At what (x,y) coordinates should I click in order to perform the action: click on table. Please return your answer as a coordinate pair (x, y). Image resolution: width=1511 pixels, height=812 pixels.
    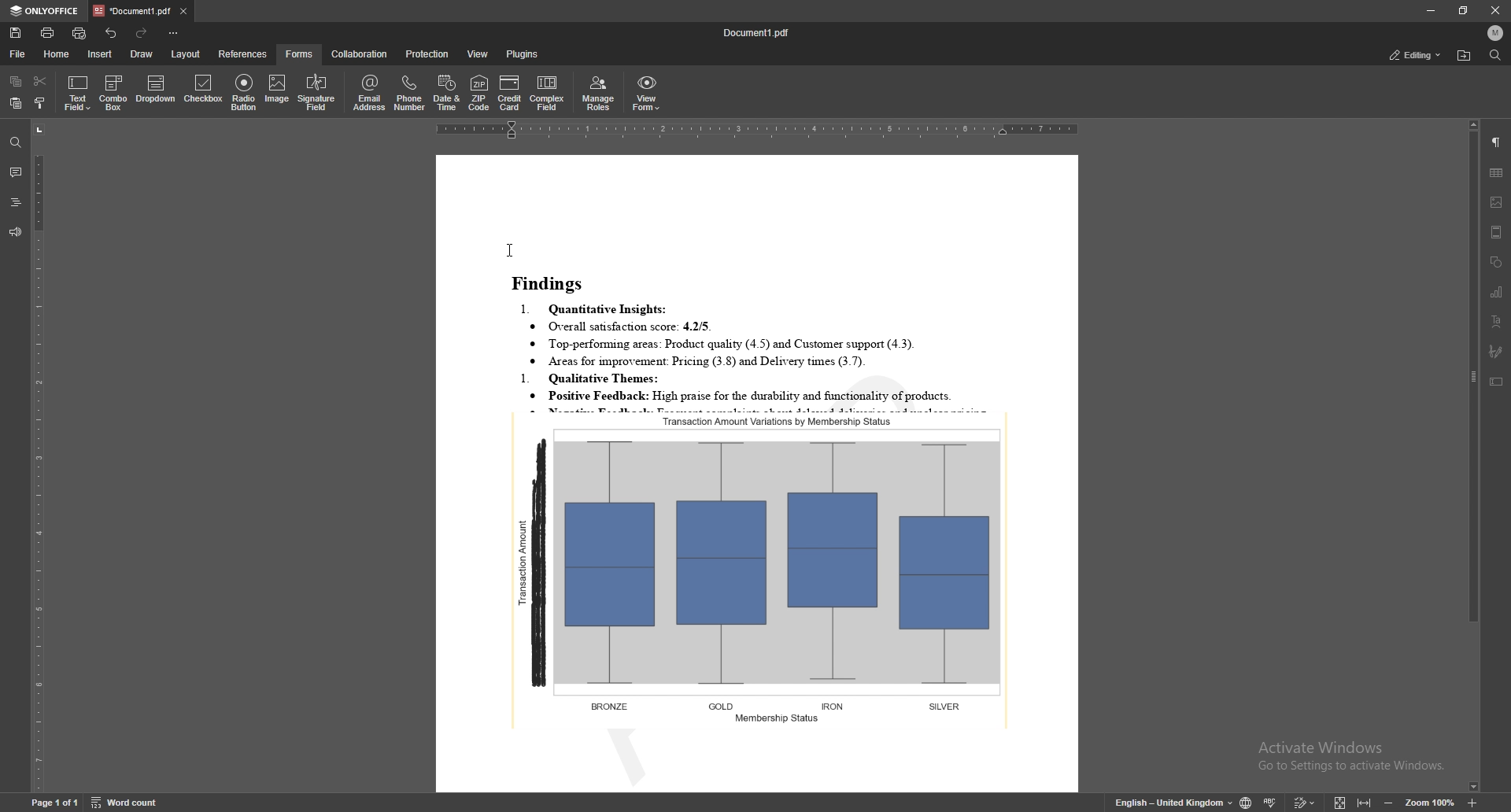
    Looking at the image, I should click on (1497, 172).